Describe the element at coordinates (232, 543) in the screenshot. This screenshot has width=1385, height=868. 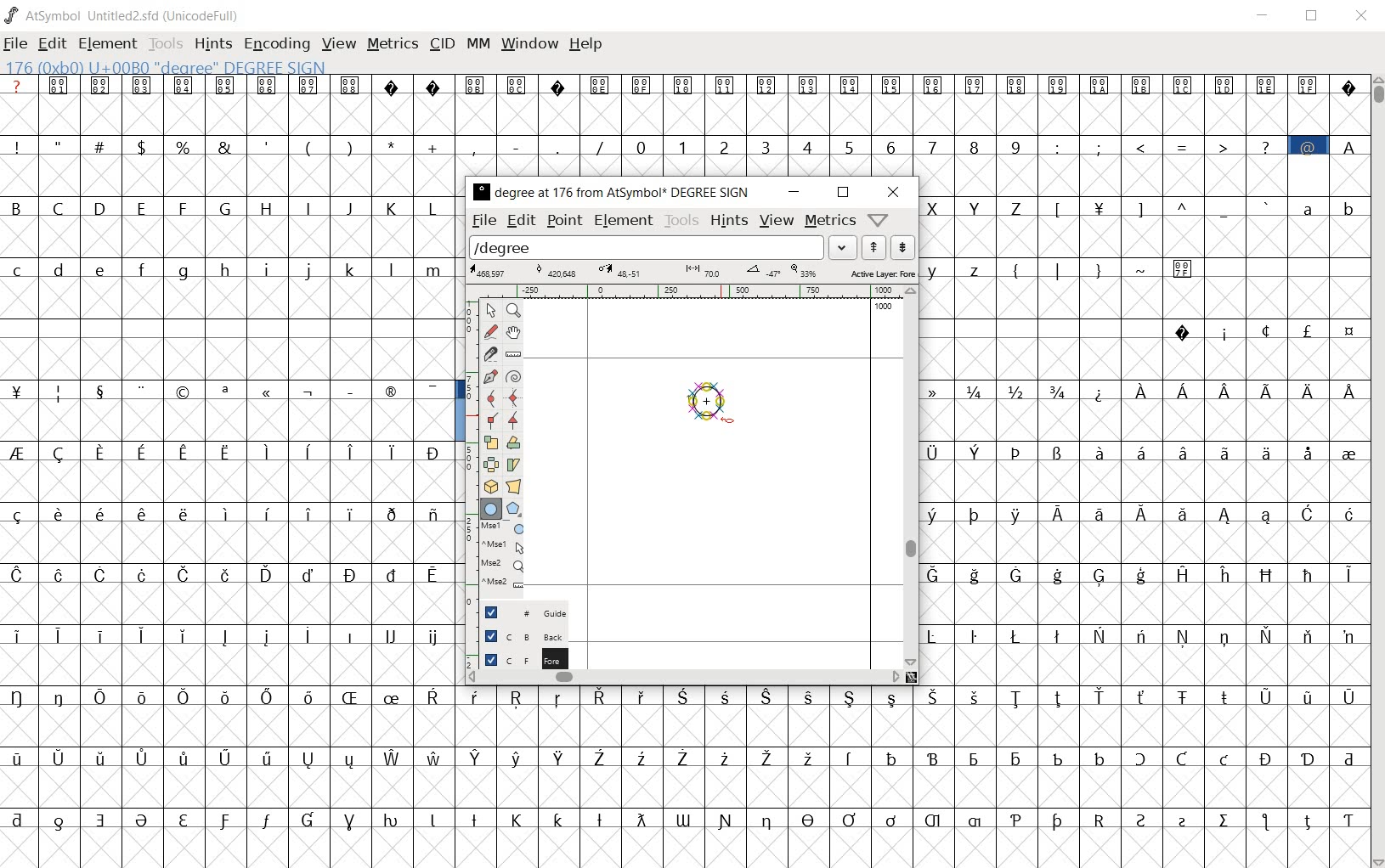
I see `empty glyph slots` at that location.